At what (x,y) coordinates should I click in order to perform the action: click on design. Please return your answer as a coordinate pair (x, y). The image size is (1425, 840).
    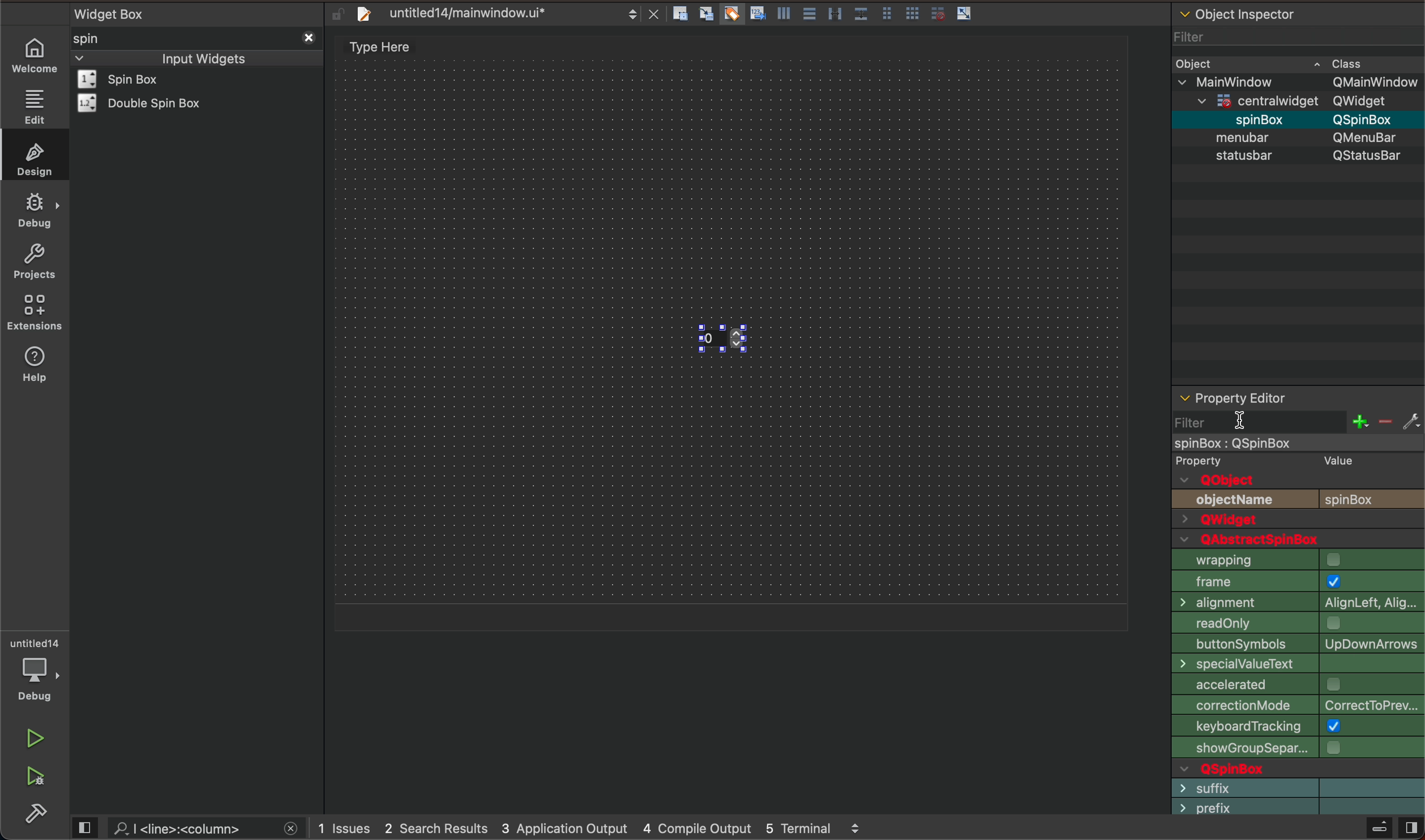
    Looking at the image, I should click on (32, 157).